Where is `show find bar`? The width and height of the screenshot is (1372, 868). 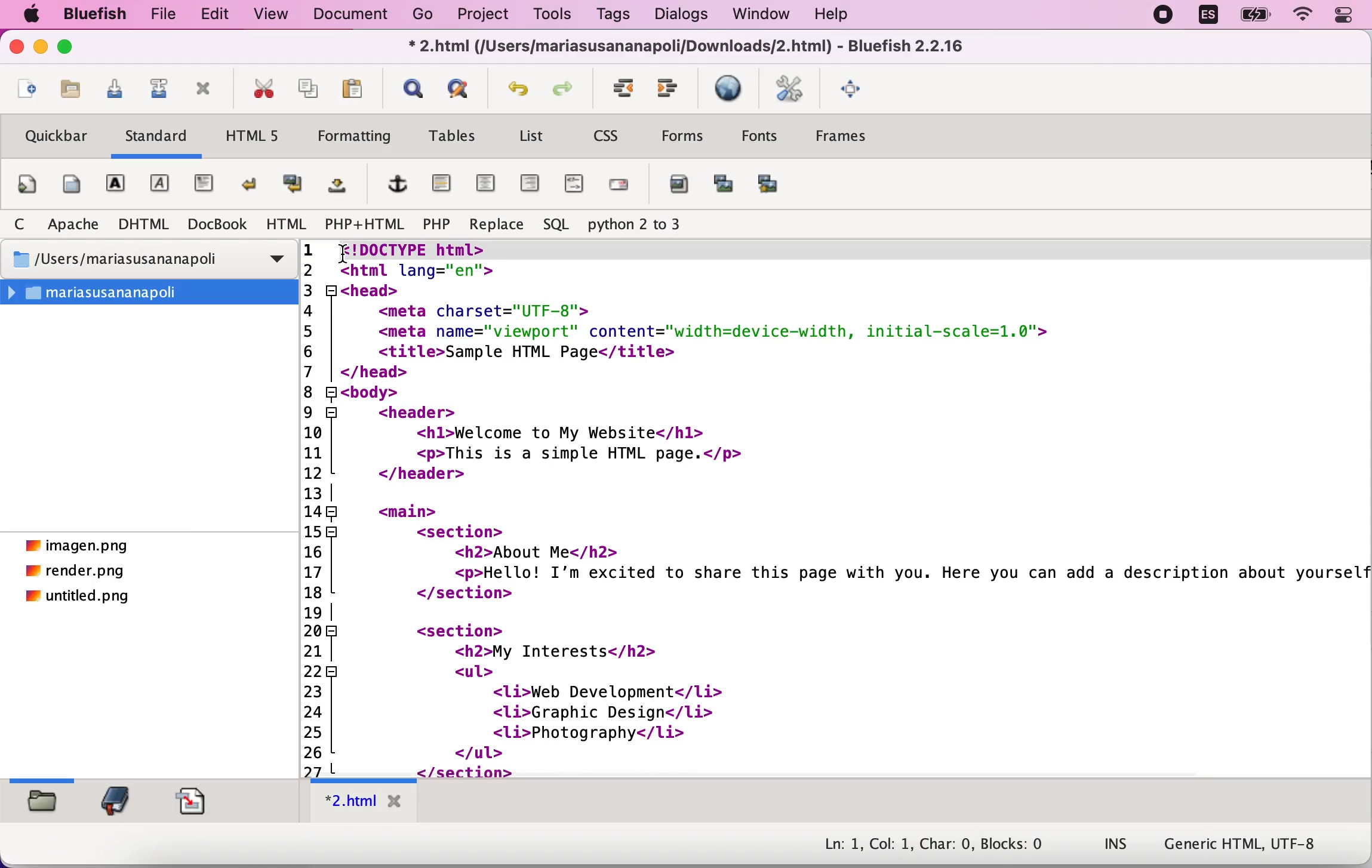 show find bar is located at coordinates (414, 90).